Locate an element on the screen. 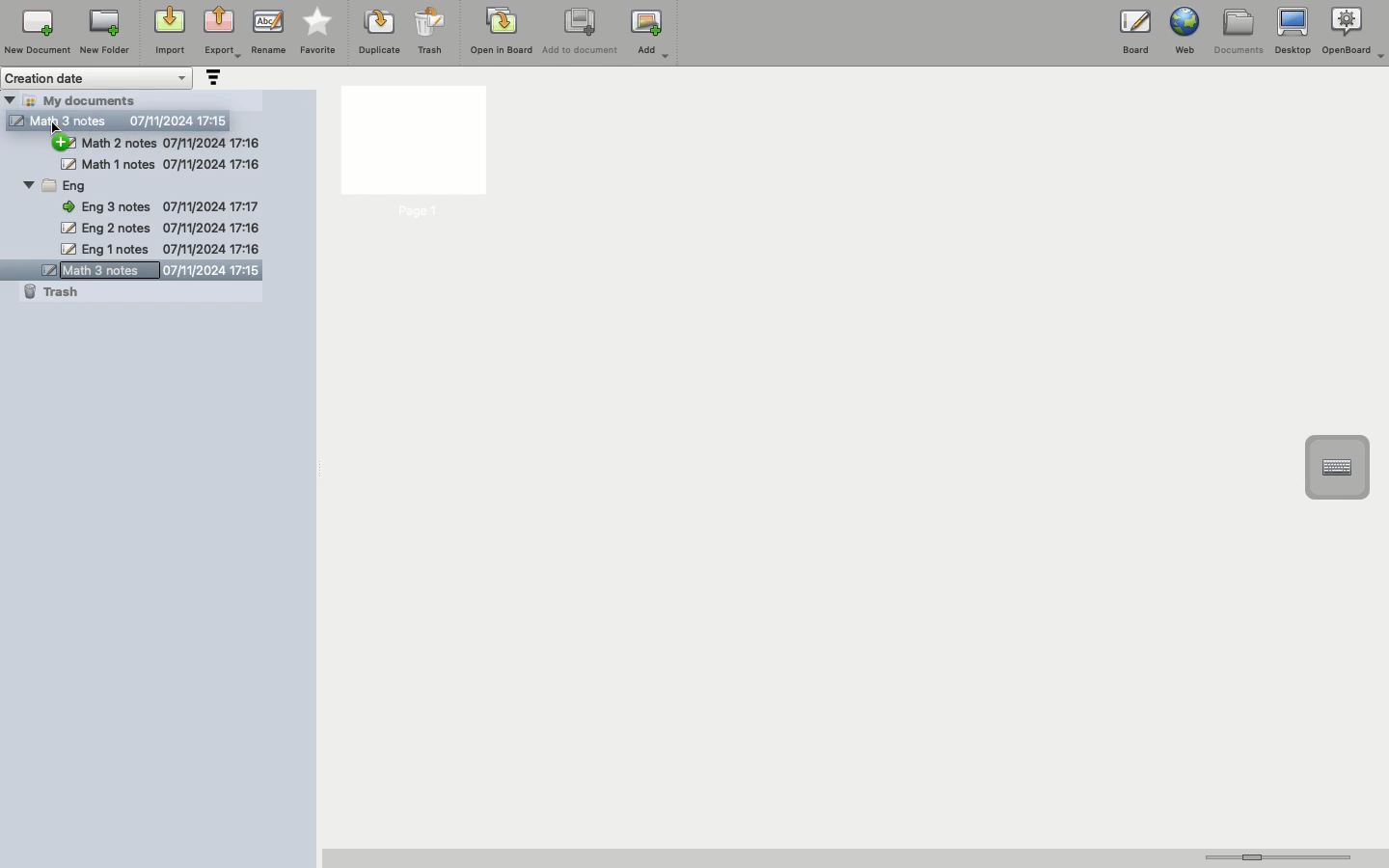 This screenshot has height=868, width=1389. Documents is located at coordinates (1238, 32).